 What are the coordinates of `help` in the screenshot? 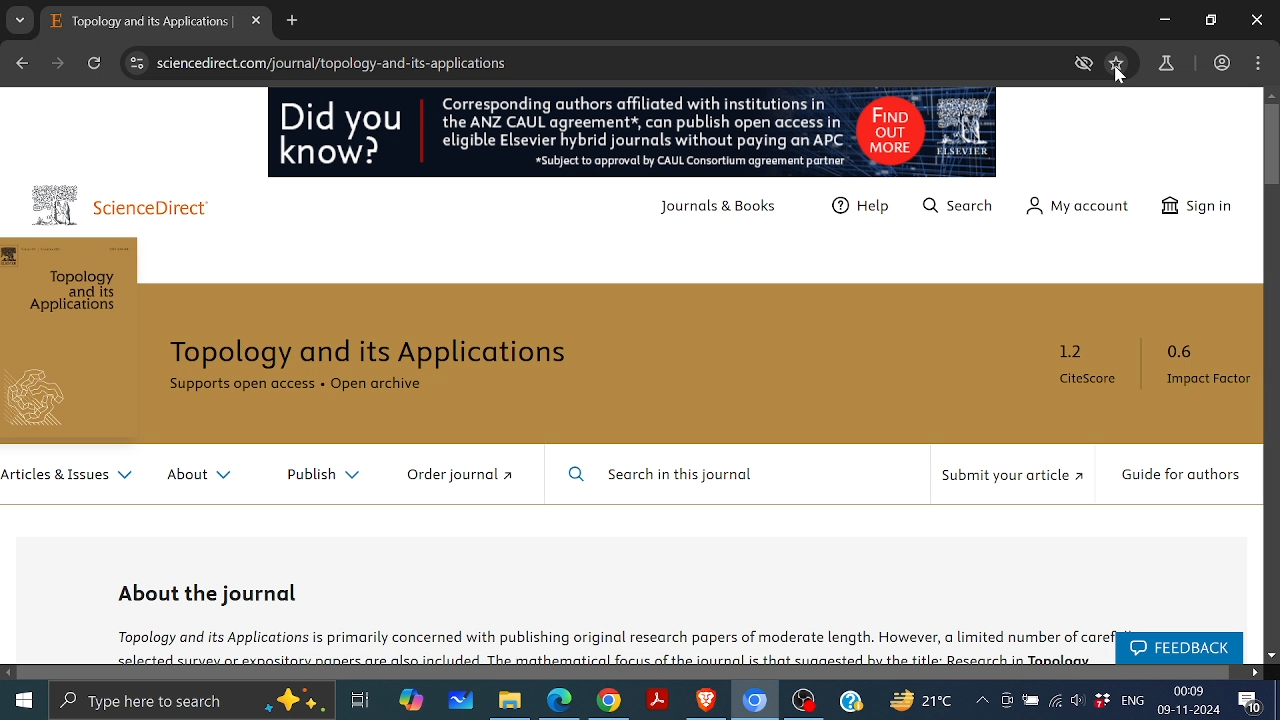 It's located at (864, 211).